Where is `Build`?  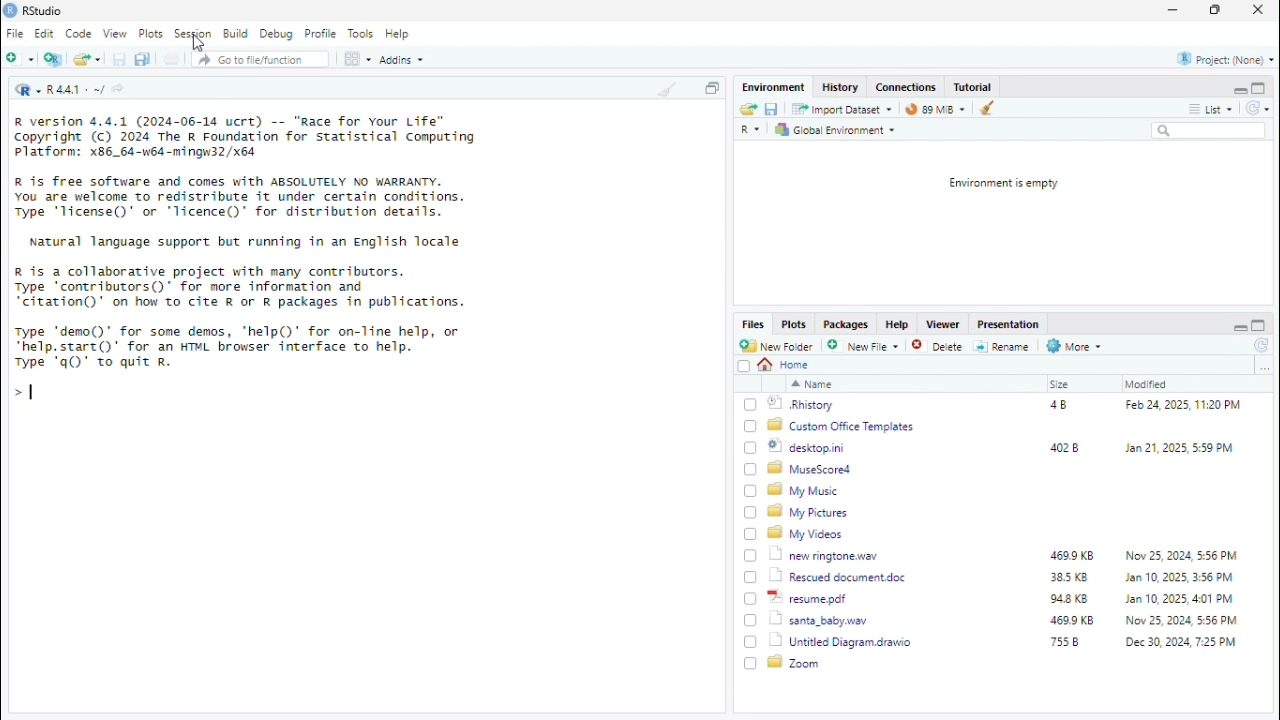 Build is located at coordinates (237, 34).